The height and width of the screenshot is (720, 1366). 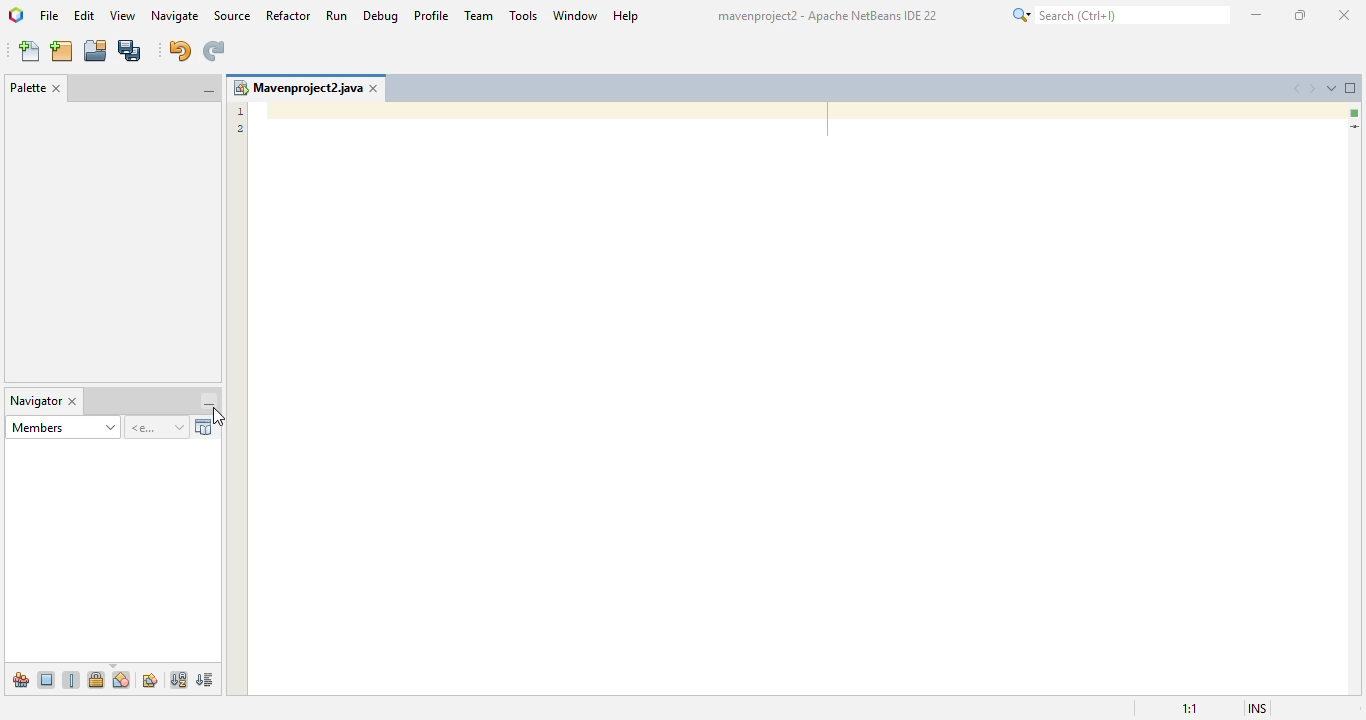 What do you see at coordinates (36, 402) in the screenshot?
I see `navigator` at bounding box center [36, 402].